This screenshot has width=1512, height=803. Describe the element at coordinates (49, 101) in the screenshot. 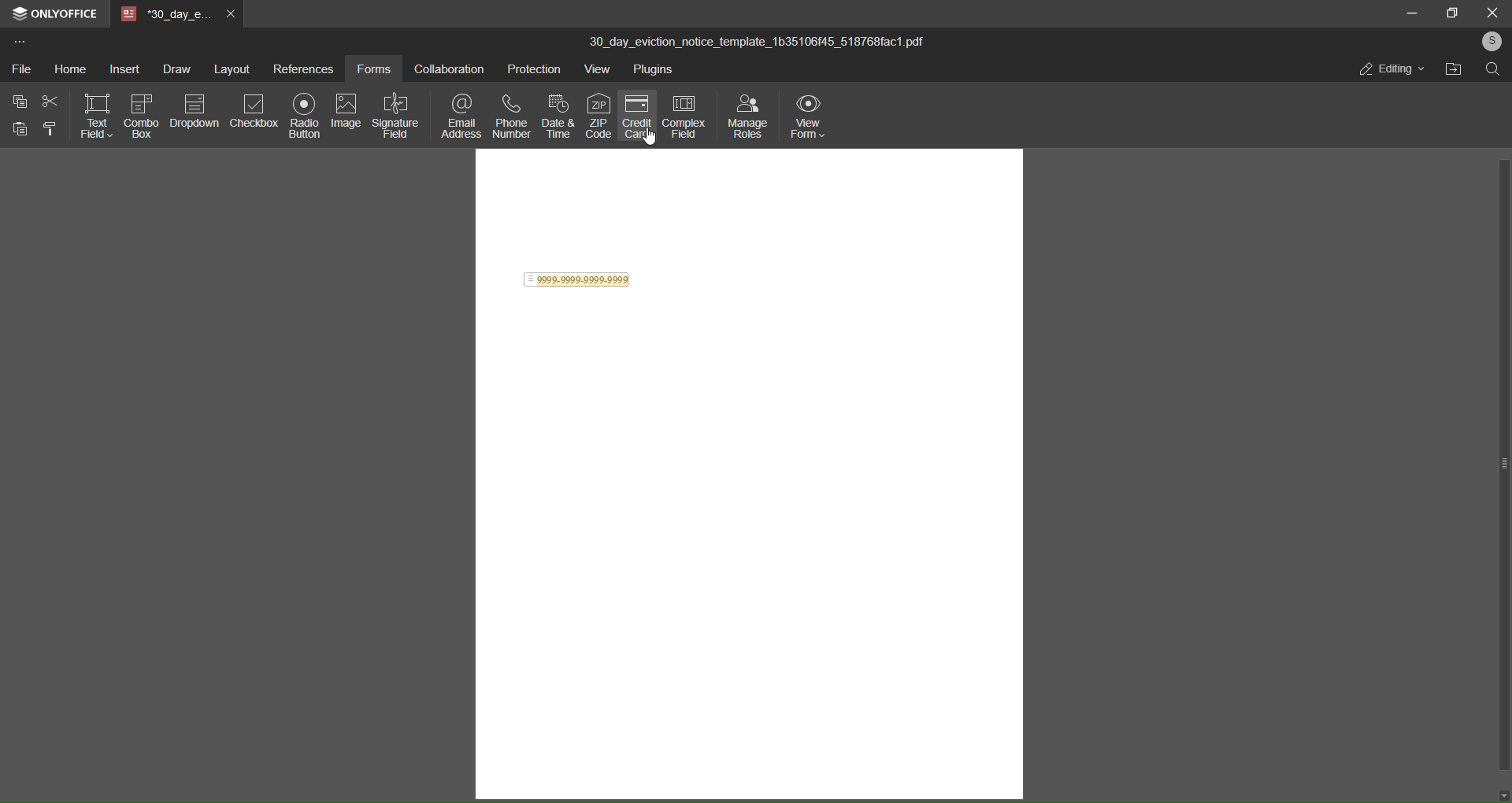

I see `cut` at that location.